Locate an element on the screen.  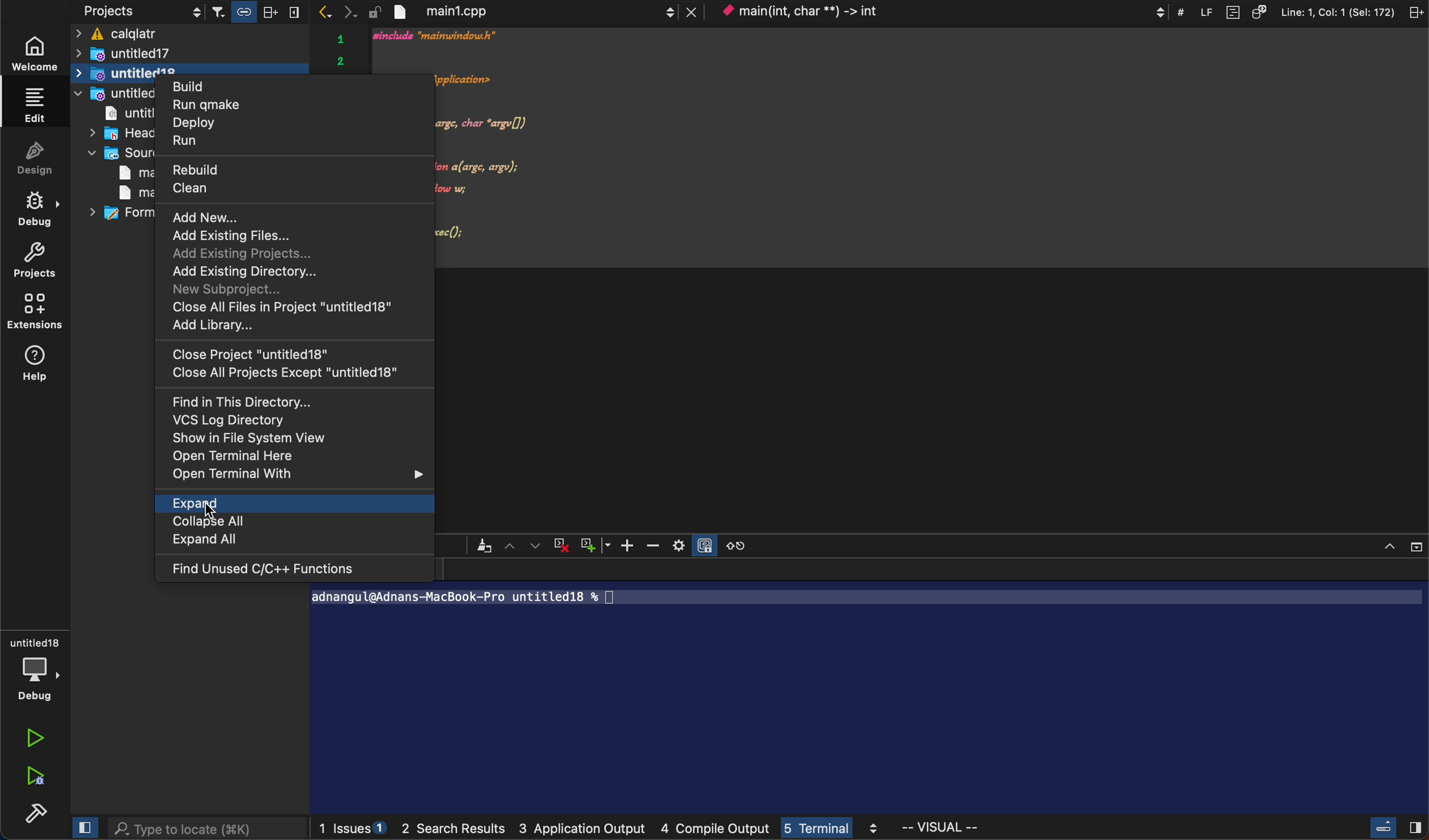
cursor is located at coordinates (215, 509).